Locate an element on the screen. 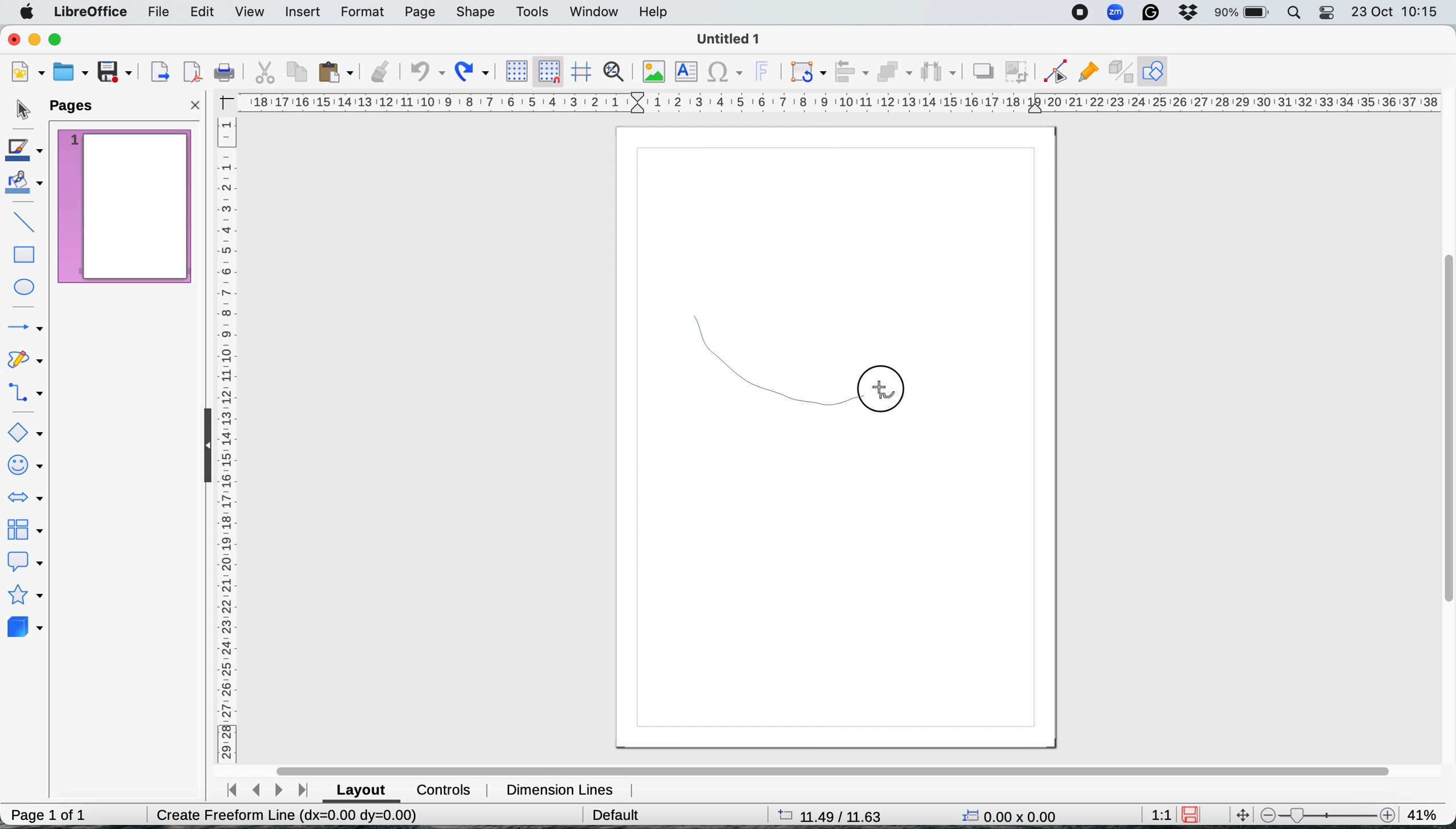 The height and width of the screenshot is (829, 1456). dropbox is located at coordinates (1191, 13).